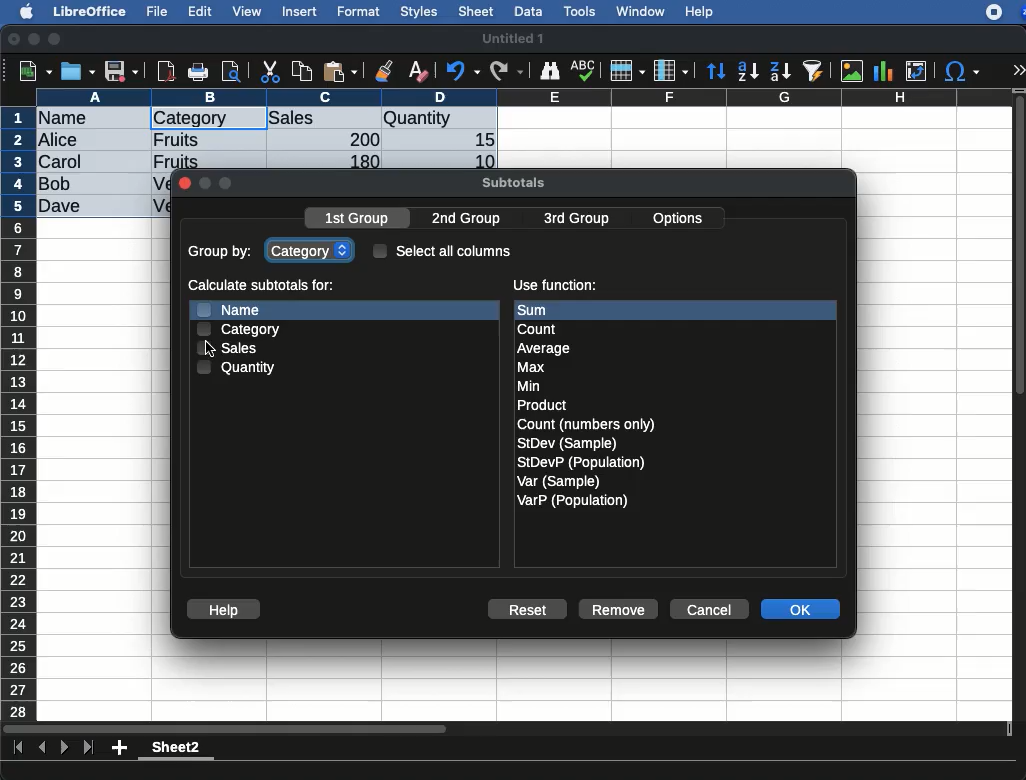 This screenshot has height=780, width=1026. What do you see at coordinates (264, 287) in the screenshot?
I see `calculate subtotals for:` at bounding box center [264, 287].